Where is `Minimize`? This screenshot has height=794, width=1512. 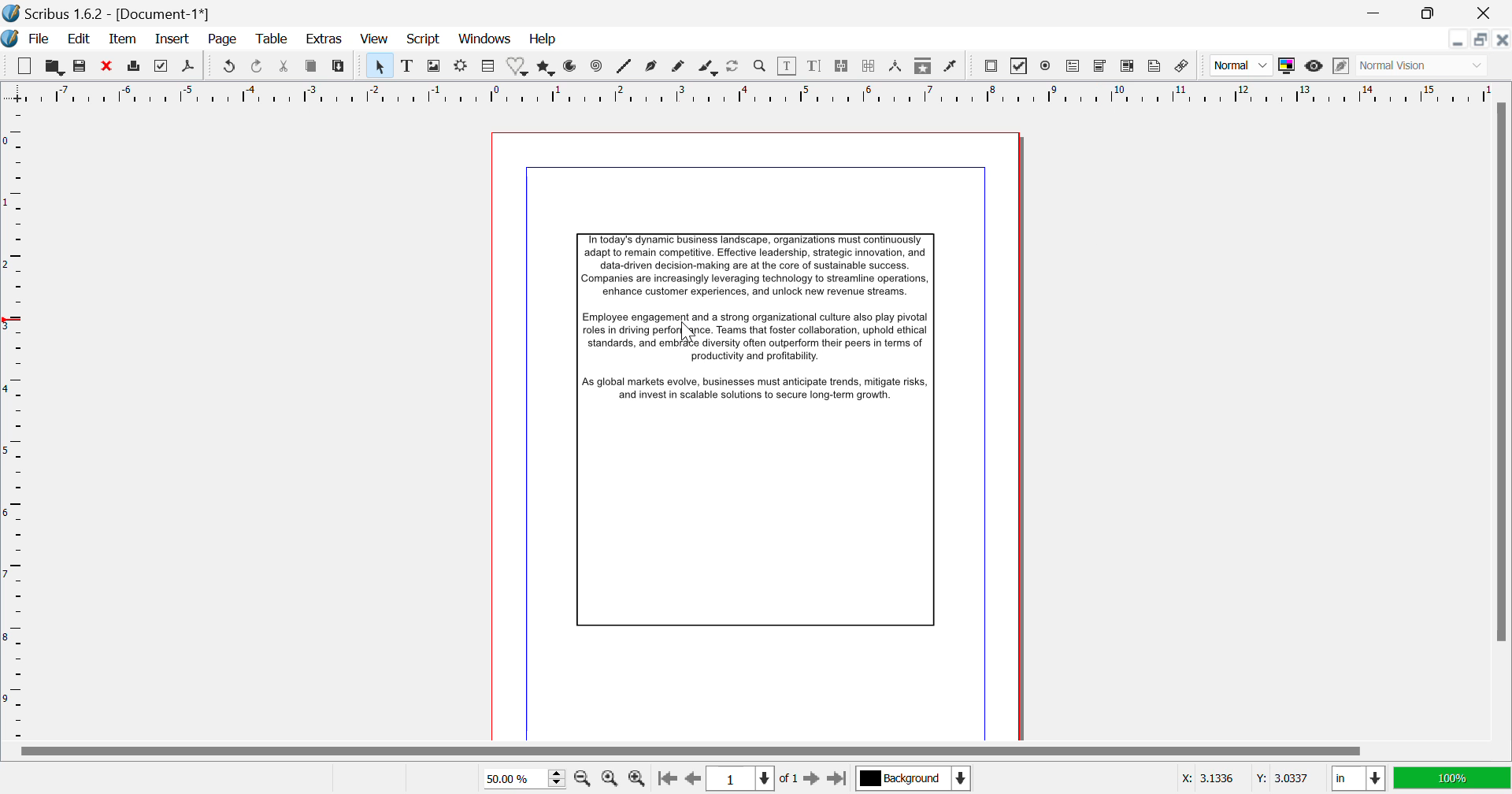 Minimize is located at coordinates (1431, 13).